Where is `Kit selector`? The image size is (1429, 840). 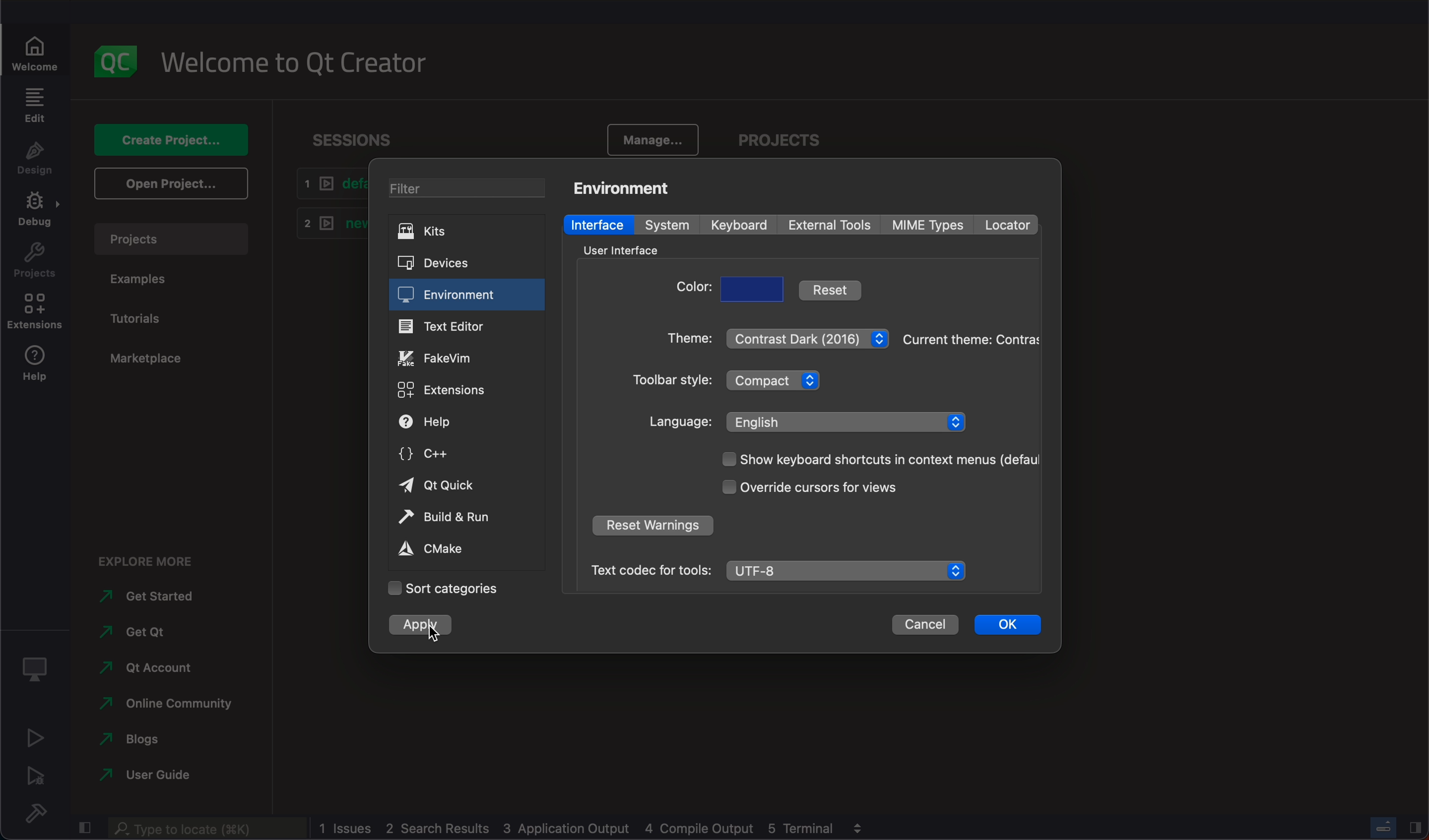 Kit selector is located at coordinates (34, 665).